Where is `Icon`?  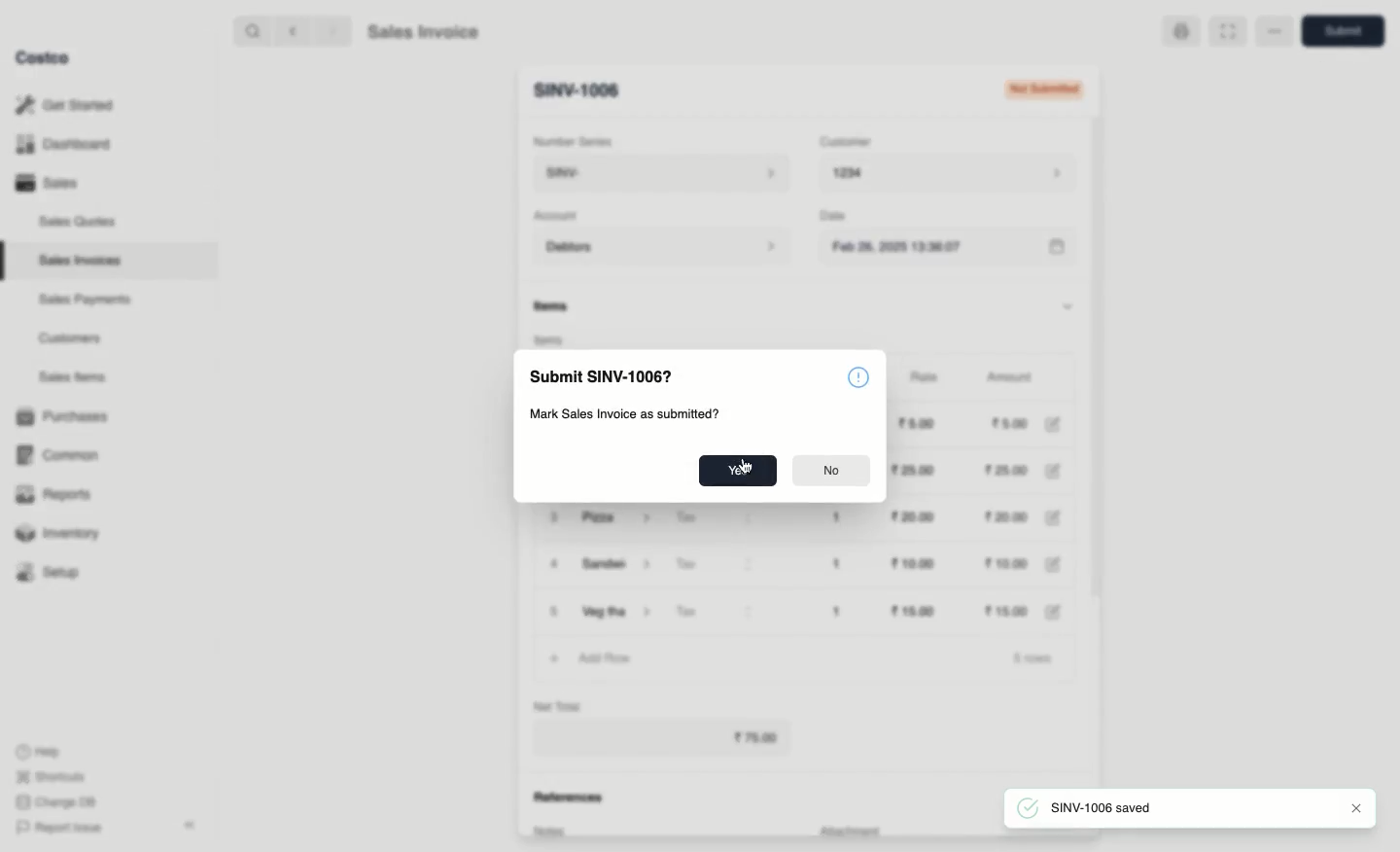
Icon is located at coordinates (861, 376).